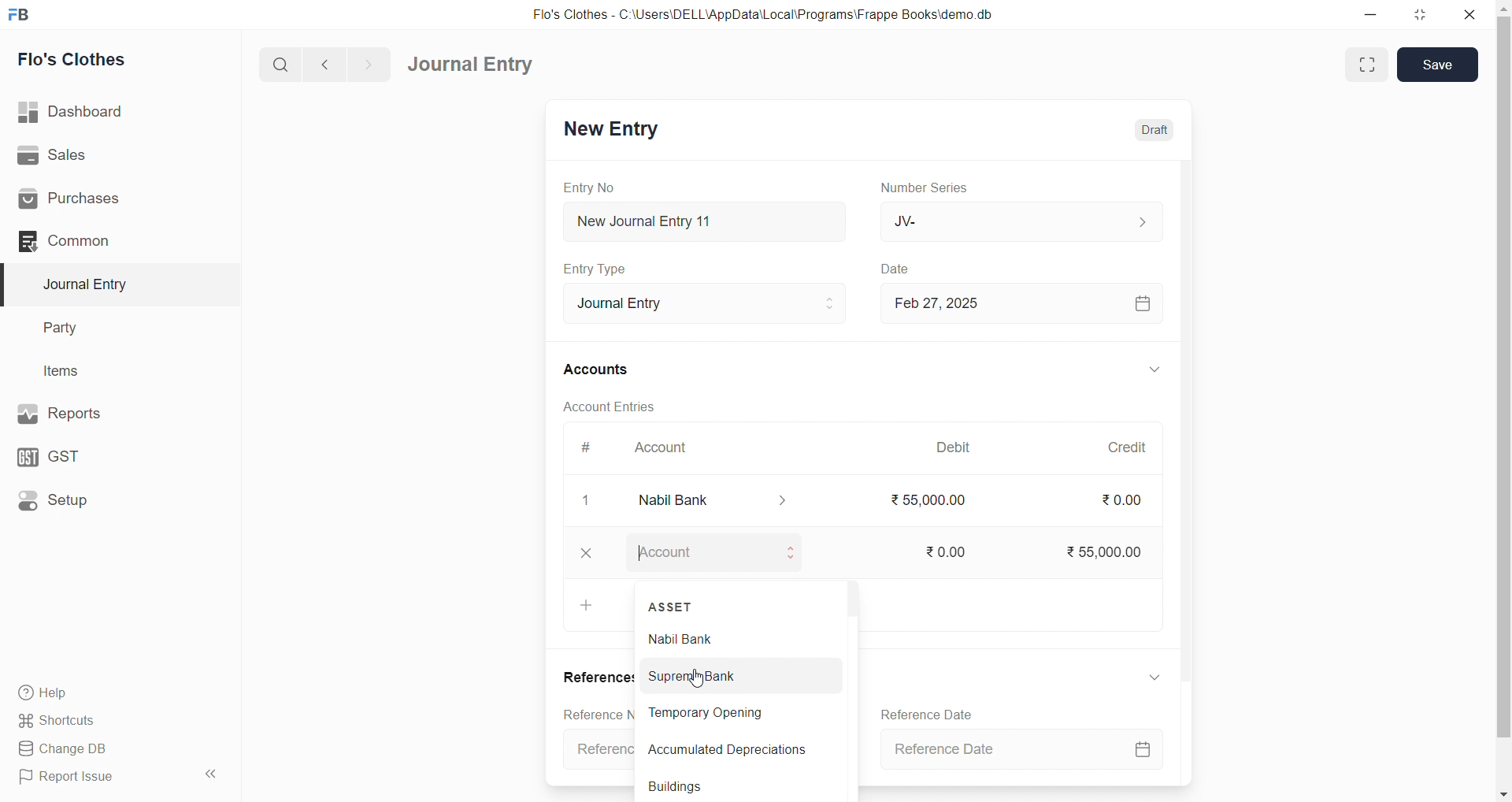 The width and height of the screenshot is (1512, 802). I want to click on Draft, so click(1158, 129).